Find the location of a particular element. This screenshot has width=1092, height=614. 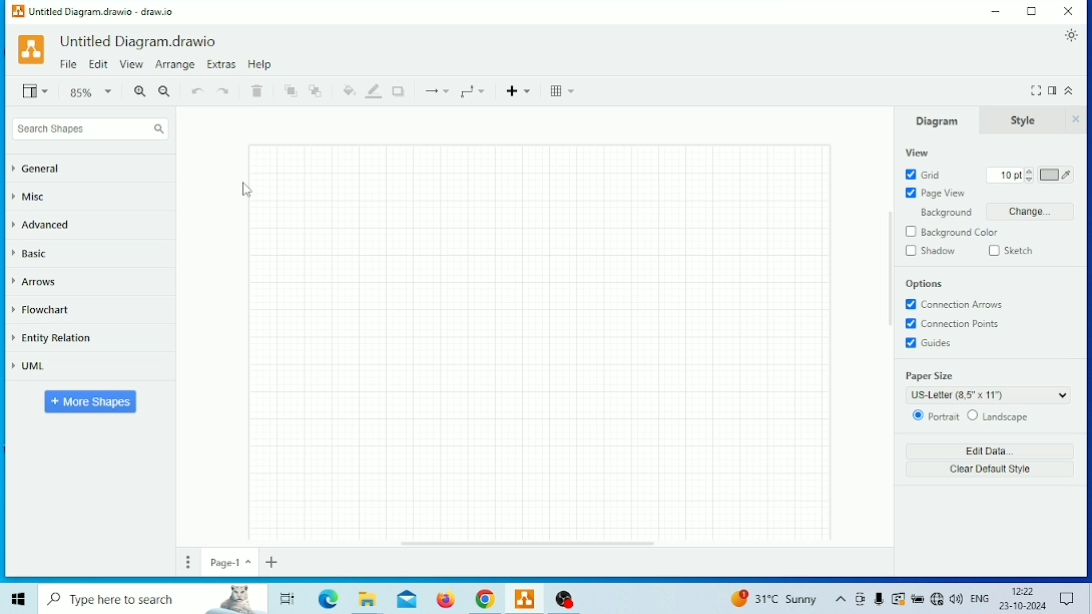

Connection is located at coordinates (436, 91).